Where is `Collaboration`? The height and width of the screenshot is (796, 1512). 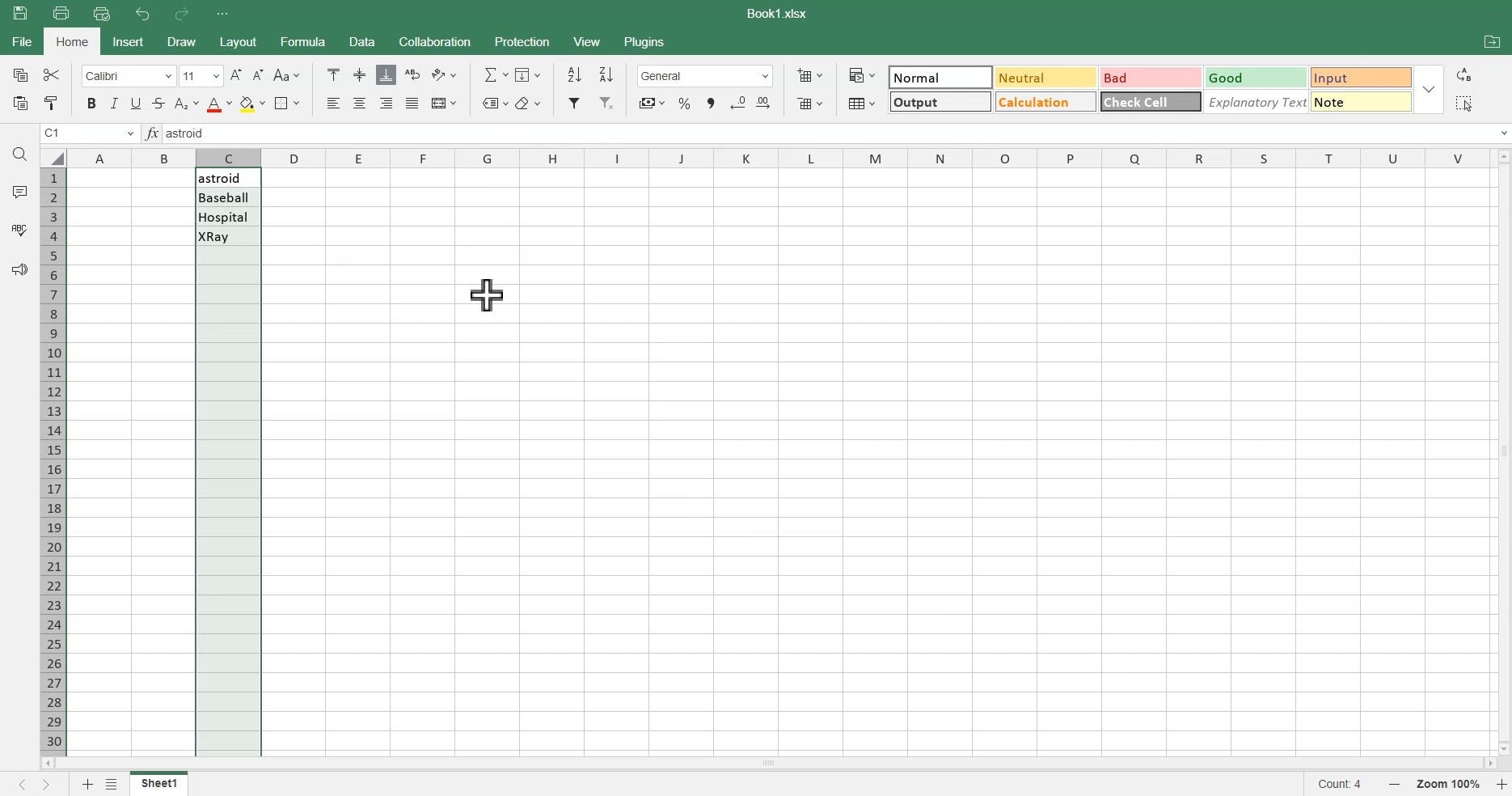 Collaboration is located at coordinates (434, 41).